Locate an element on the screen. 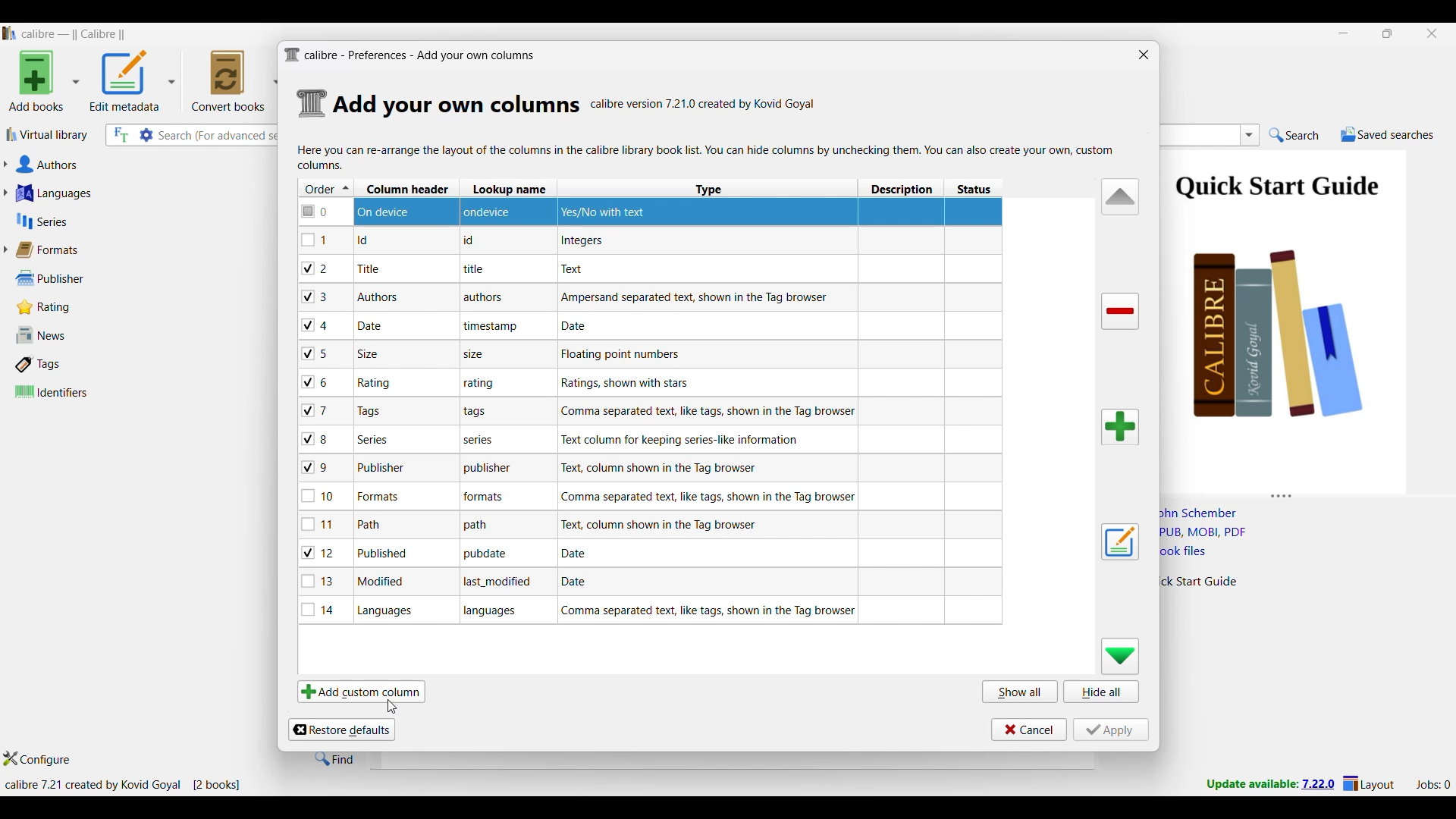  note is located at coordinates (476, 412).